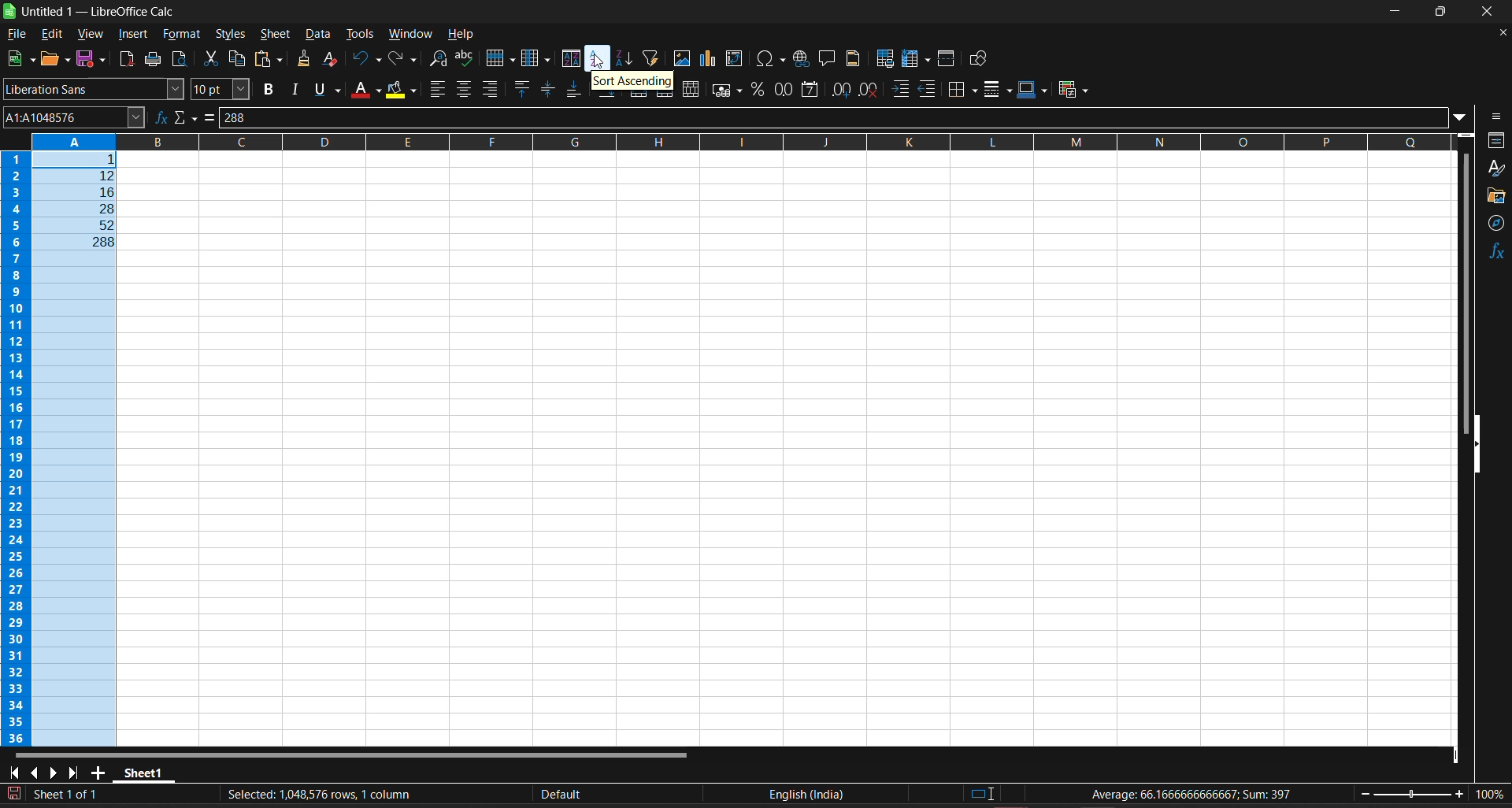  I want to click on row name, so click(17, 449).